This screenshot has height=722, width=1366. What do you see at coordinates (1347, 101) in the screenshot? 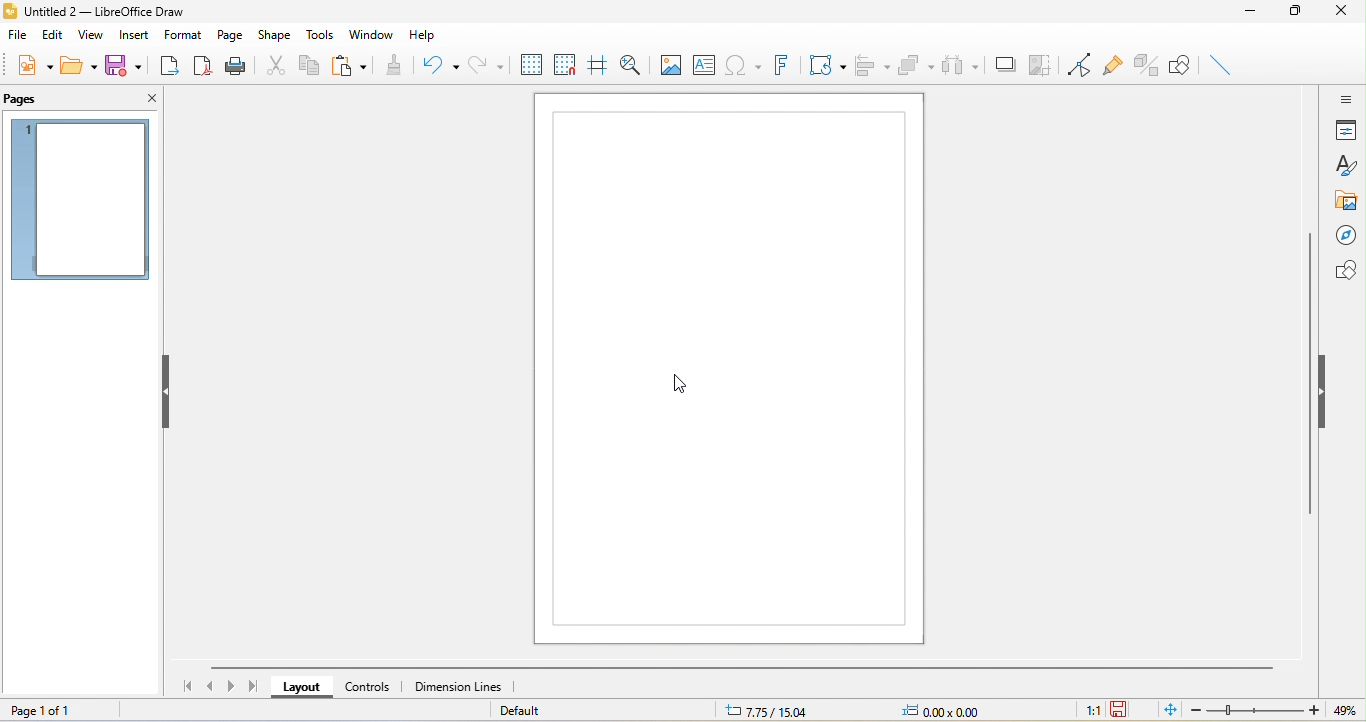
I see `sidebar setting` at bounding box center [1347, 101].